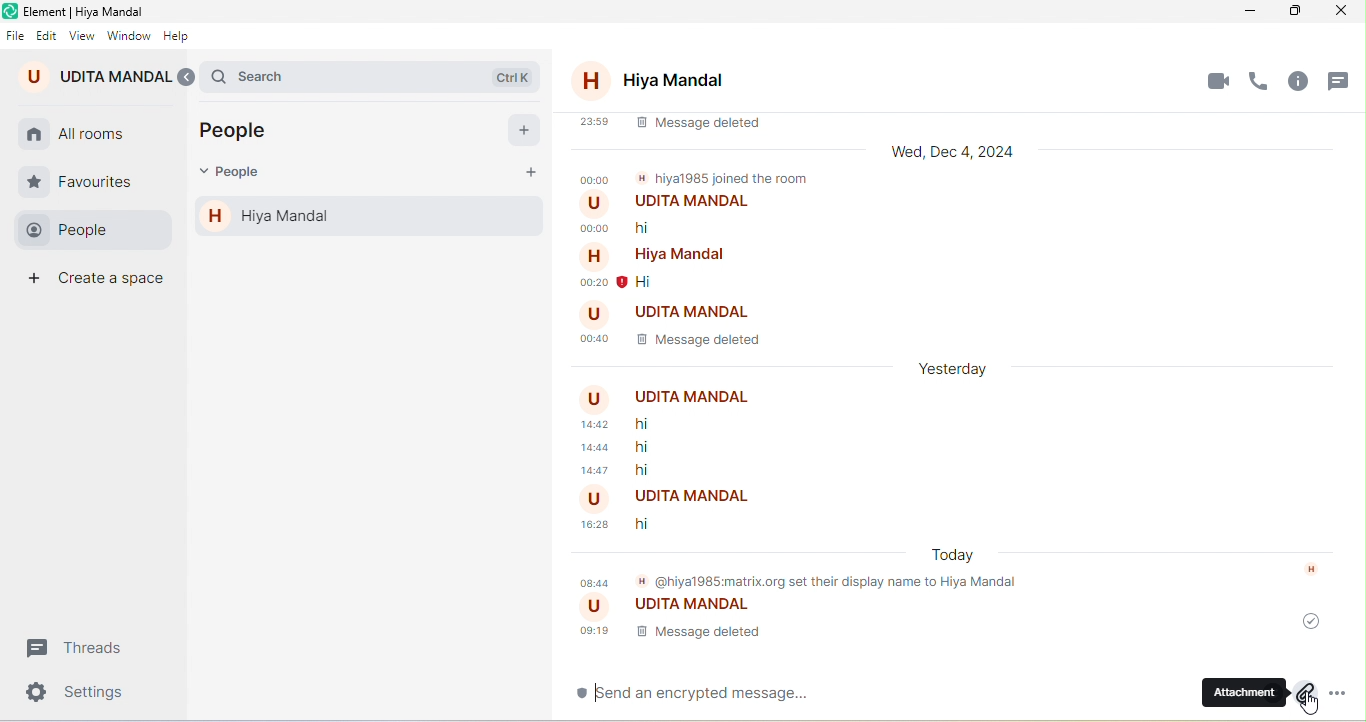 The image size is (1366, 722). I want to click on hi, so click(642, 523).